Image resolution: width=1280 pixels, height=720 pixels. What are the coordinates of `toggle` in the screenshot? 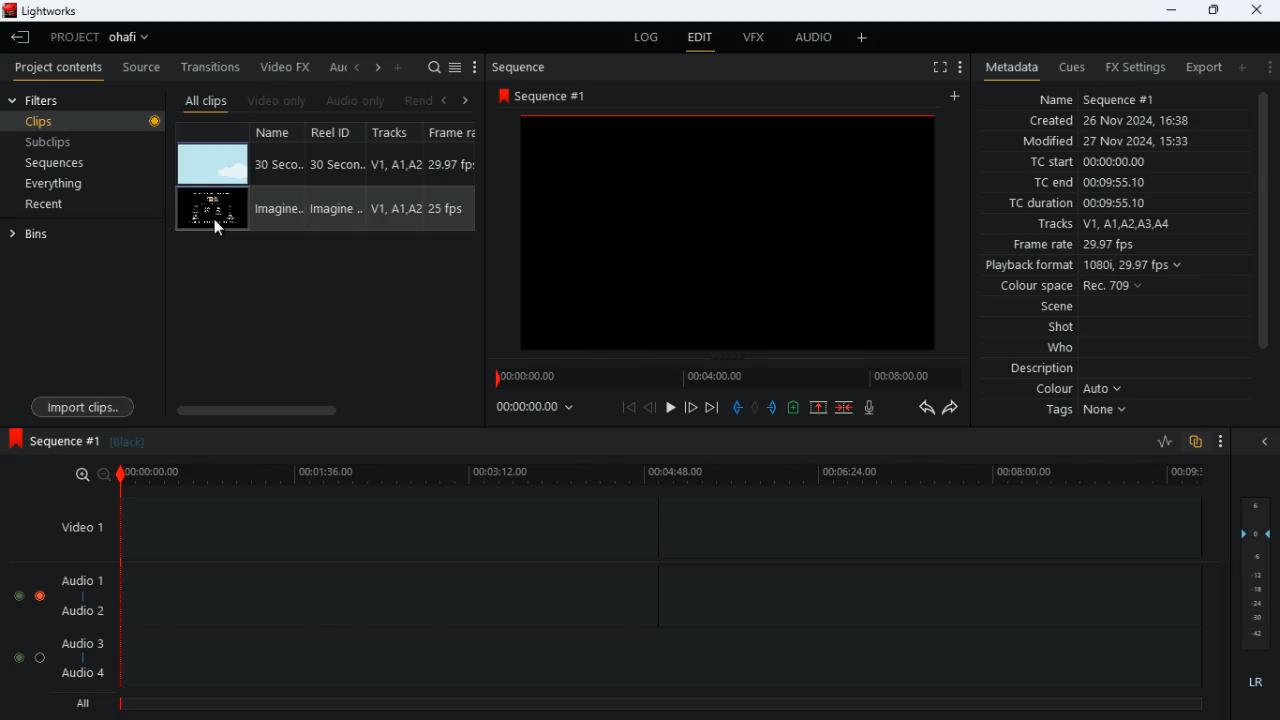 It's located at (41, 596).